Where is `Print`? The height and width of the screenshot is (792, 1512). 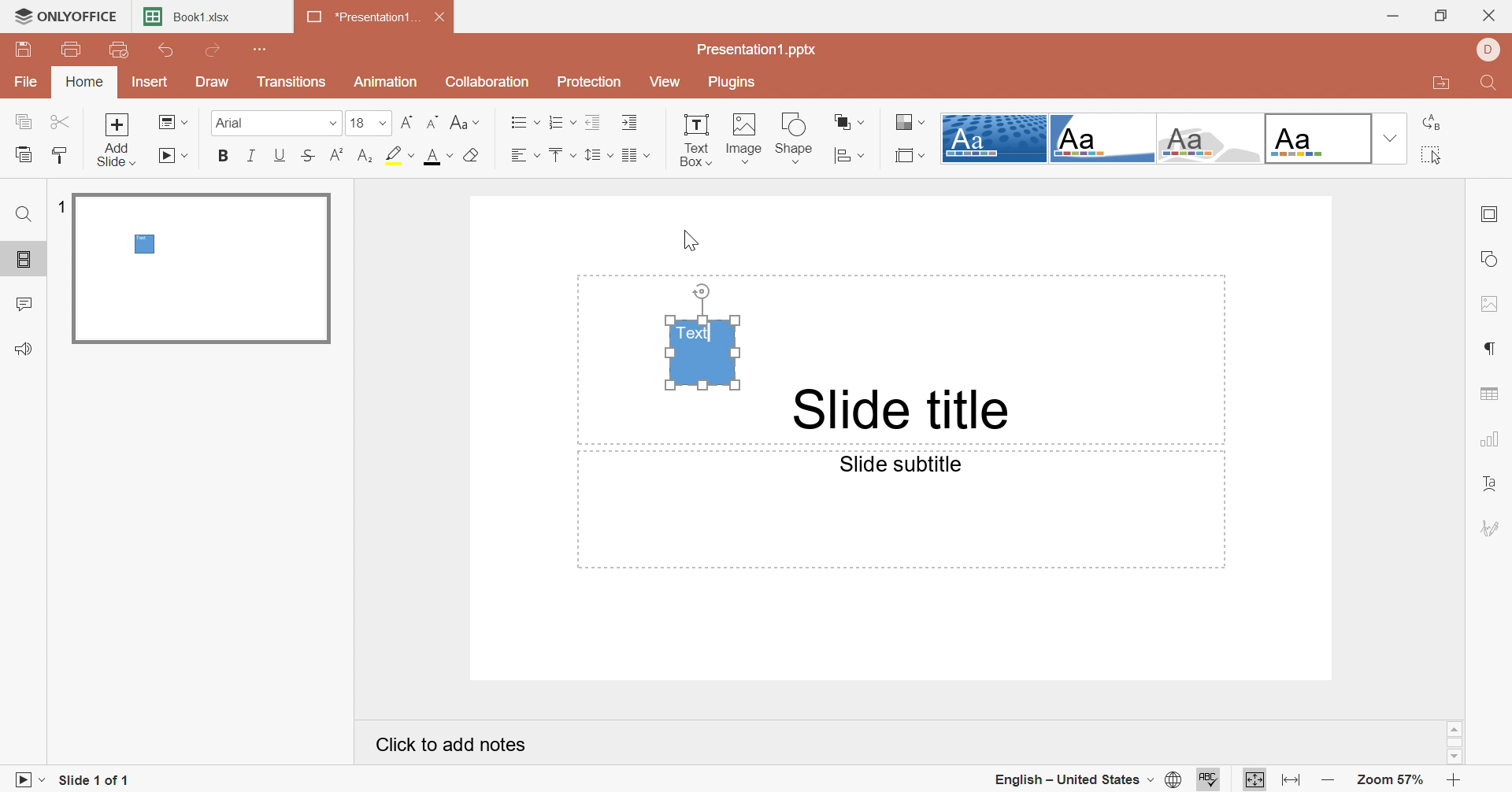 Print is located at coordinates (79, 50).